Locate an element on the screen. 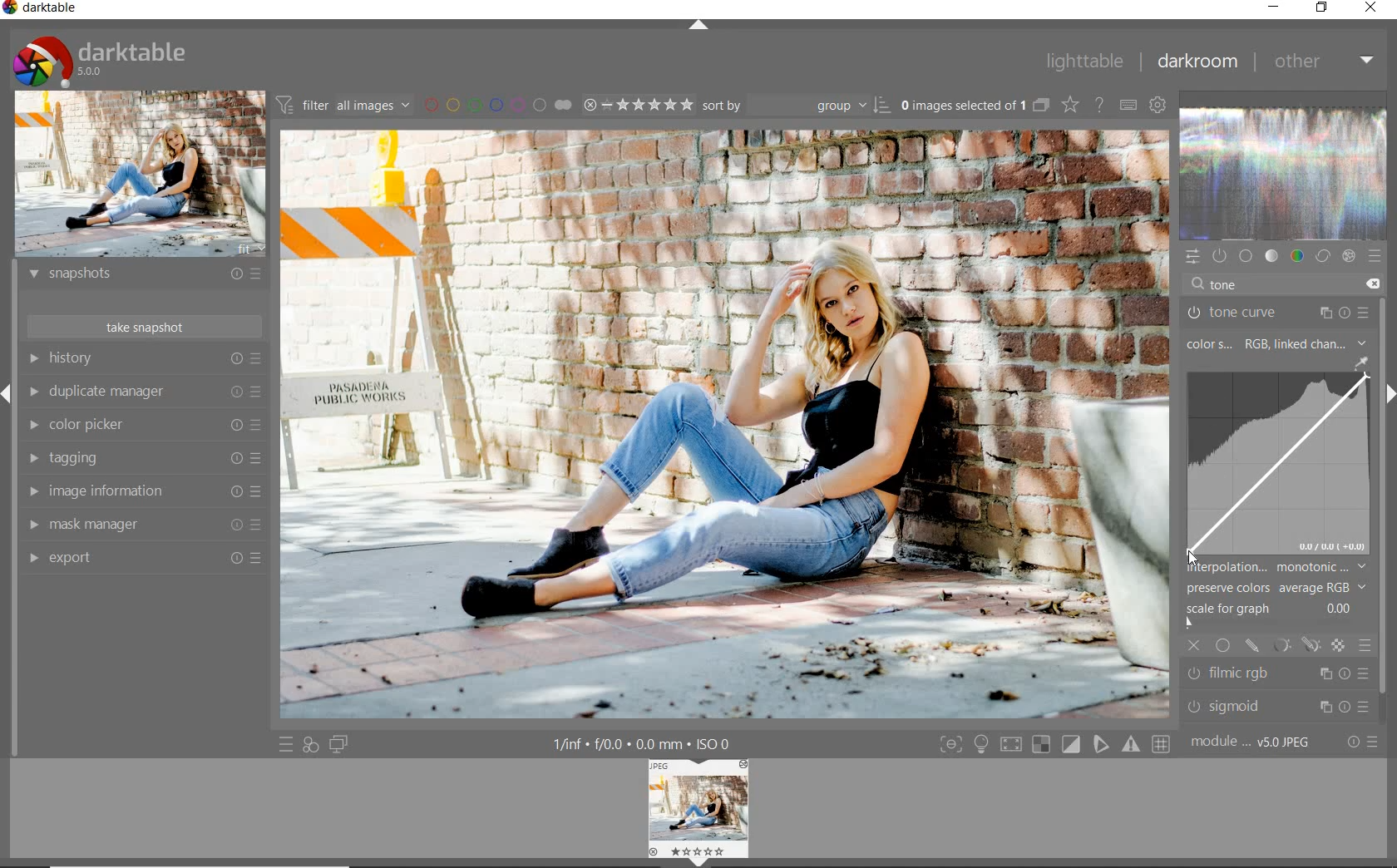 The width and height of the screenshot is (1397, 868). uniformly is located at coordinates (1222, 644).